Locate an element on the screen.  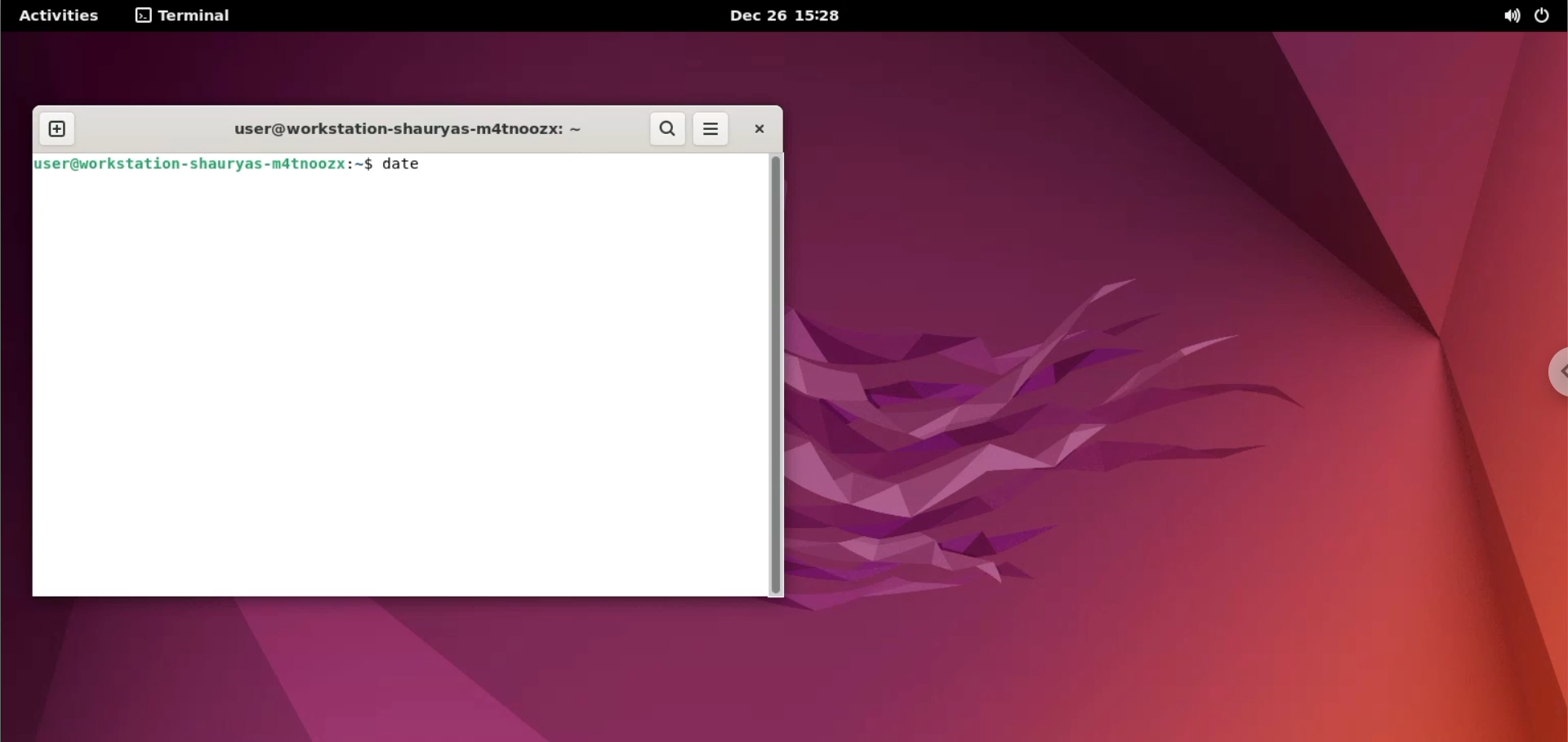
Activities is located at coordinates (56, 17).